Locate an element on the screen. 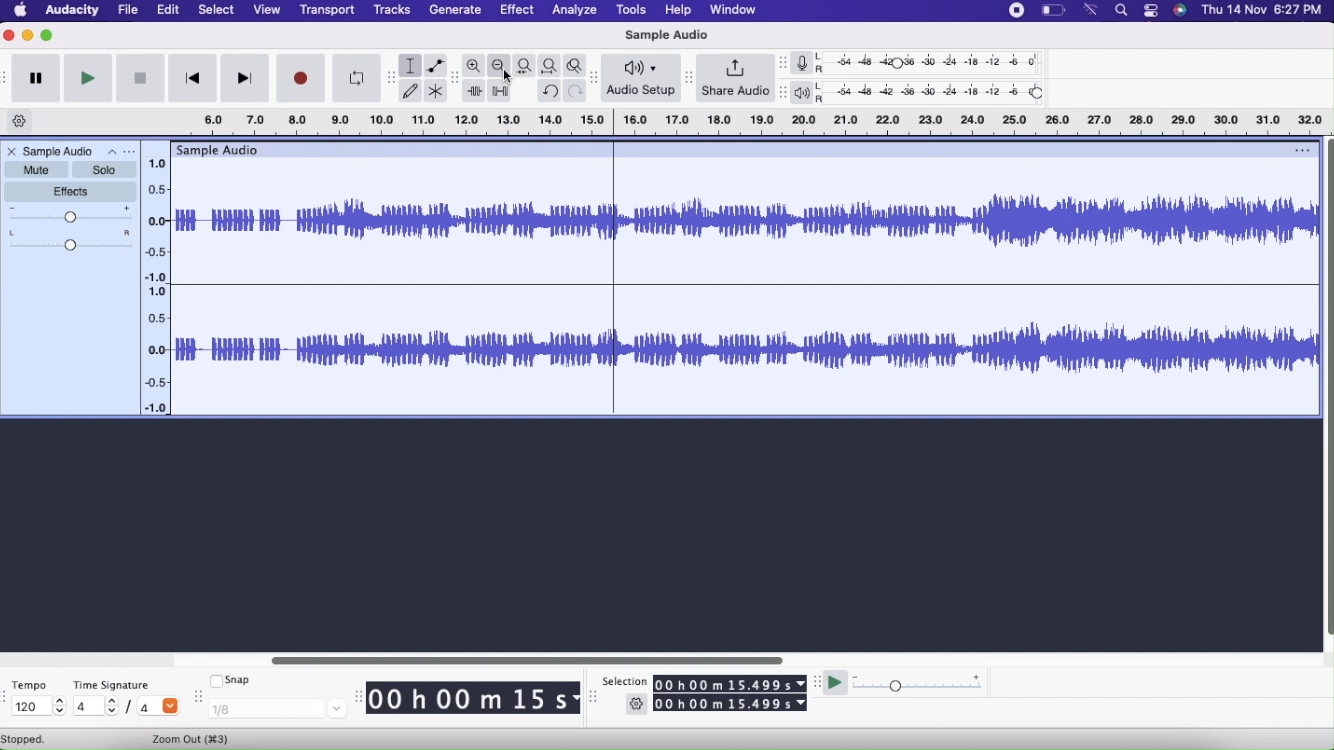  Redo is located at coordinates (575, 92).